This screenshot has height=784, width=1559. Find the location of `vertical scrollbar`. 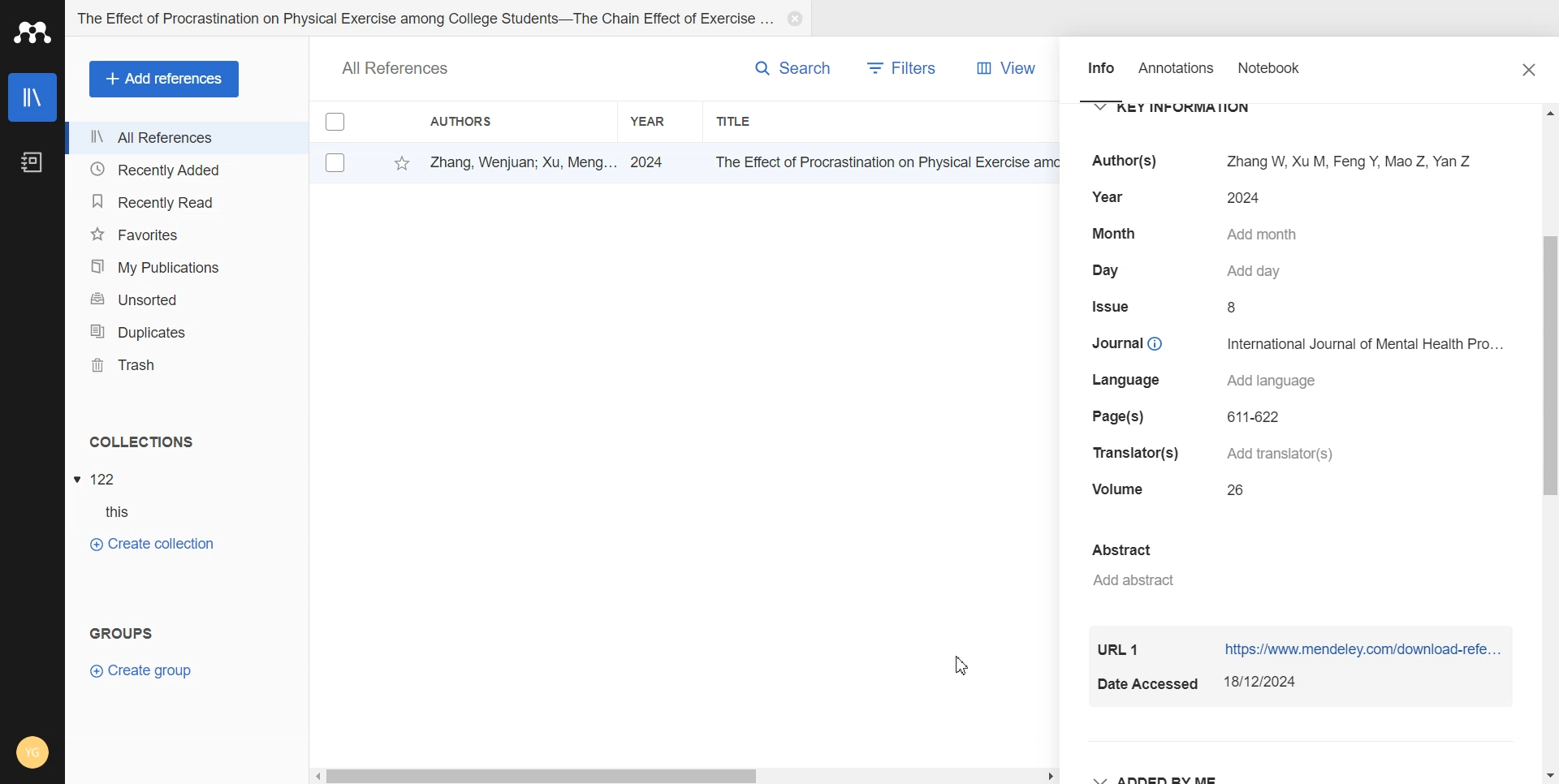

vertical scrollbar is located at coordinates (1549, 368).